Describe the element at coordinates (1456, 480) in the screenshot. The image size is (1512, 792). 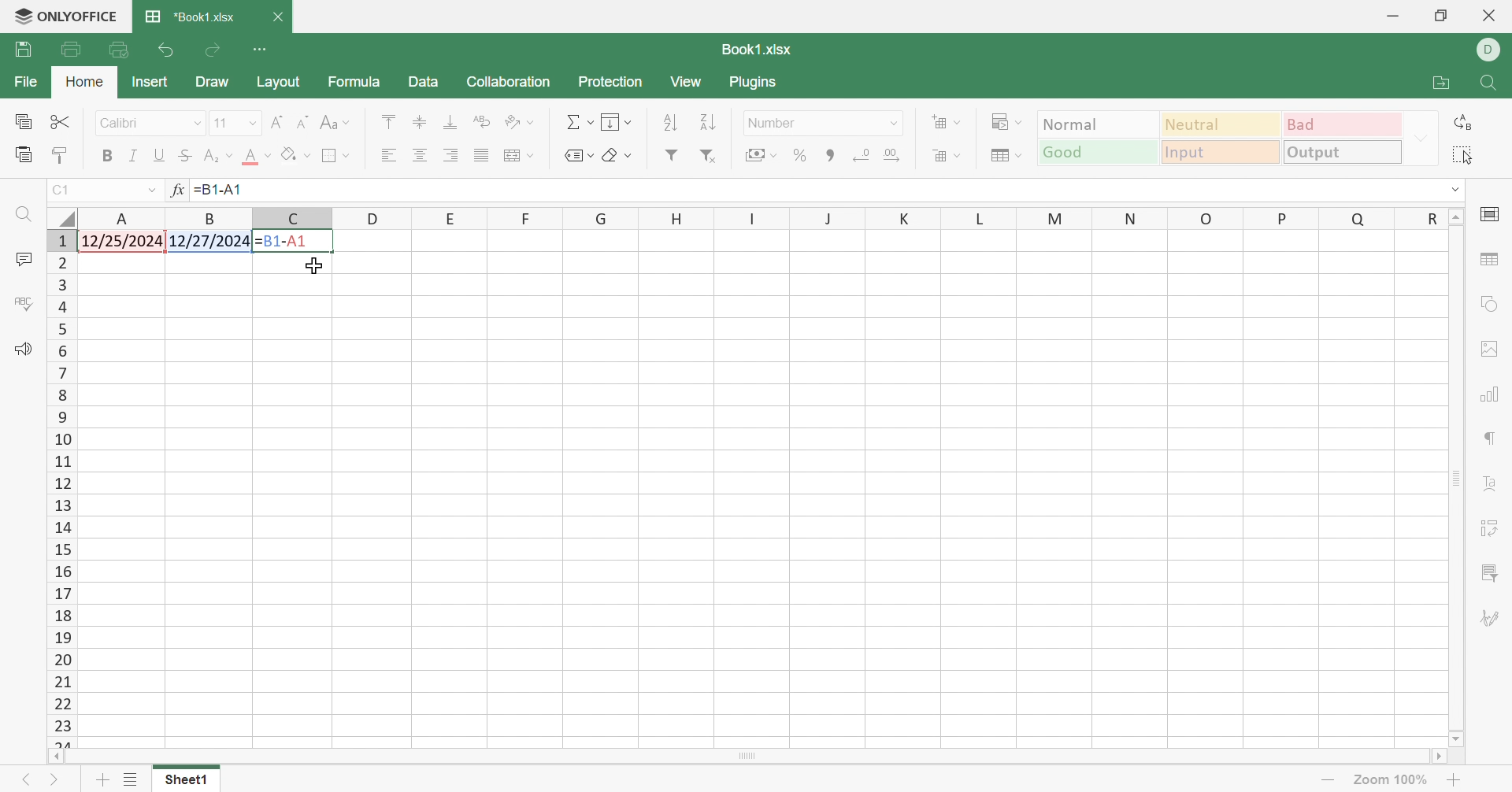
I see `Scroll Bar` at that location.